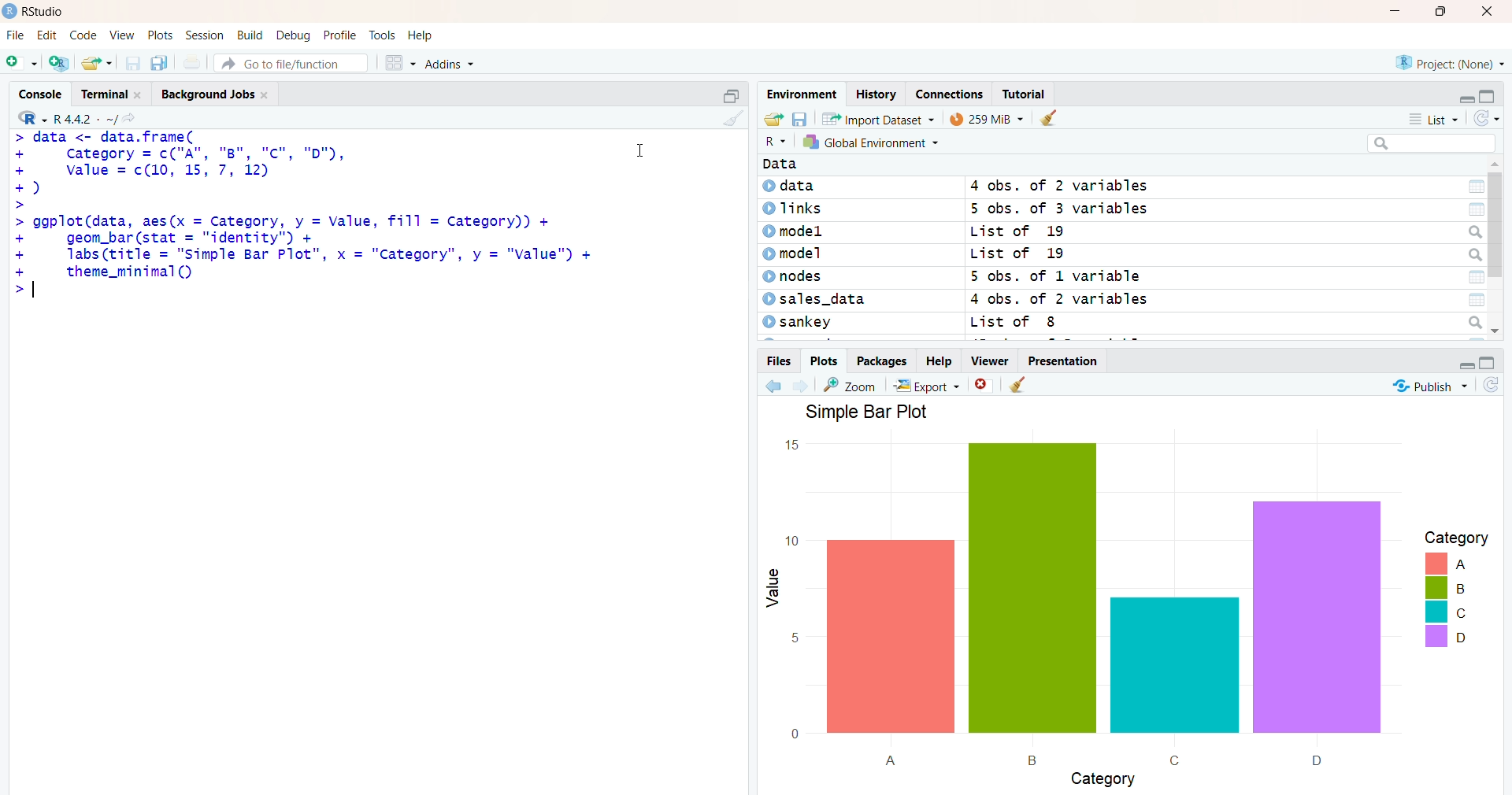 The width and height of the screenshot is (1512, 795). Describe the element at coordinates (776, 142) in the screenshot. I see `R language` at that location.